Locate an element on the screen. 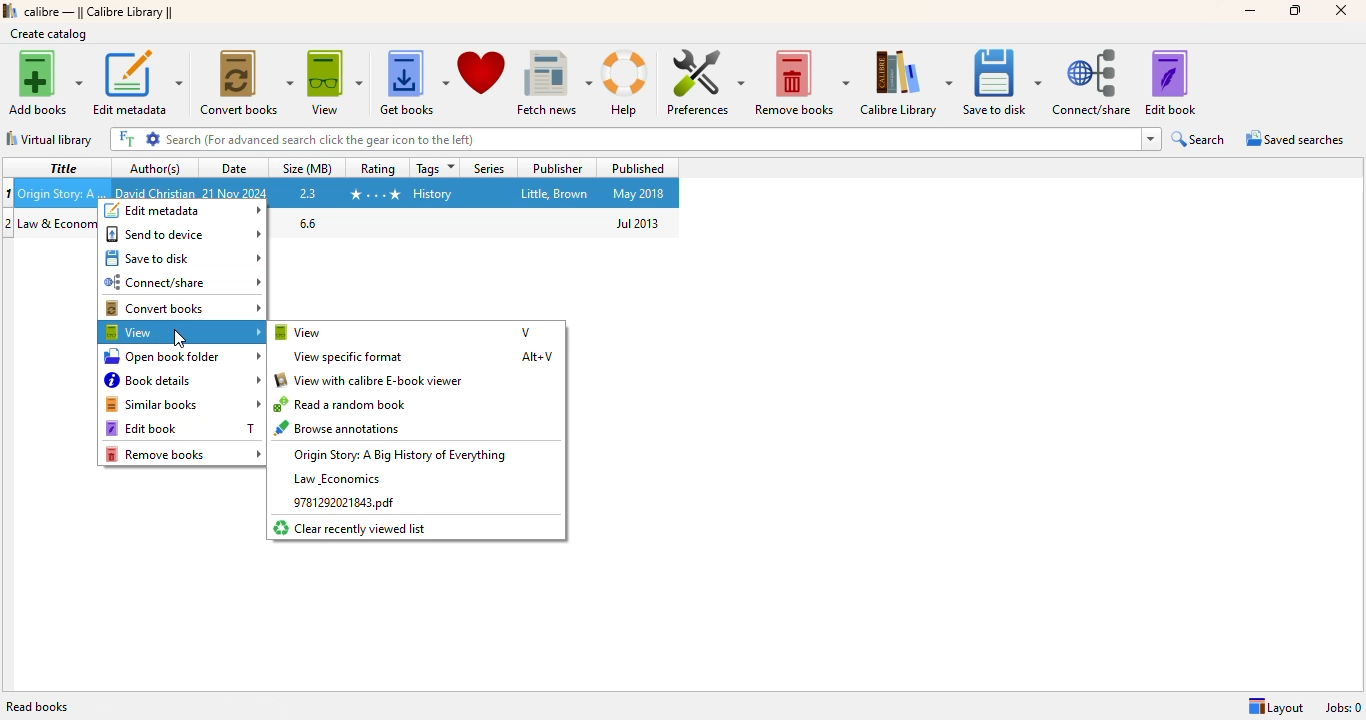  publisher is located at coordinates (557, 168).